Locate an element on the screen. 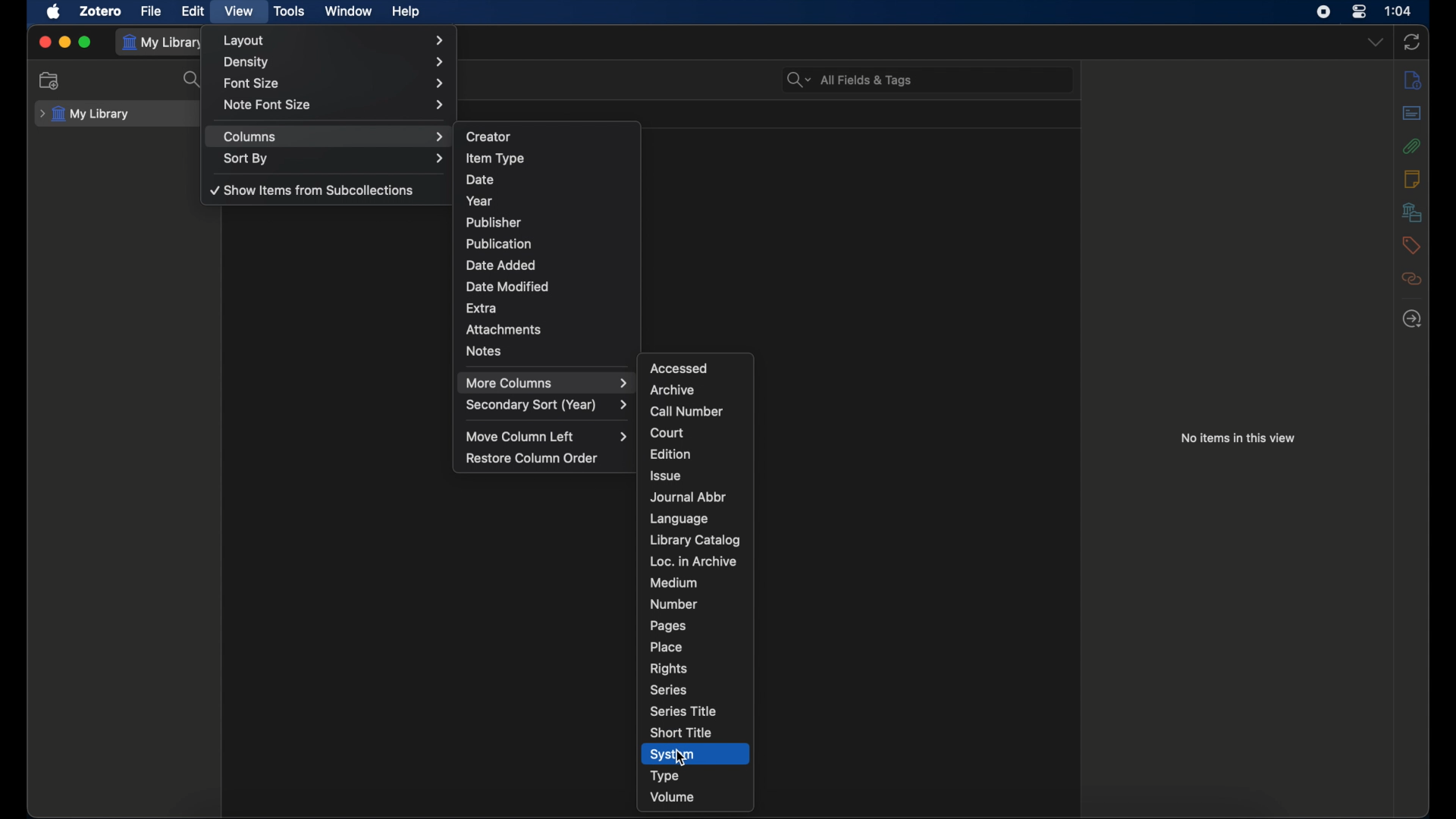 The width and height of the screenshot is (1456, 819). language is located at coordinates (679, 519).